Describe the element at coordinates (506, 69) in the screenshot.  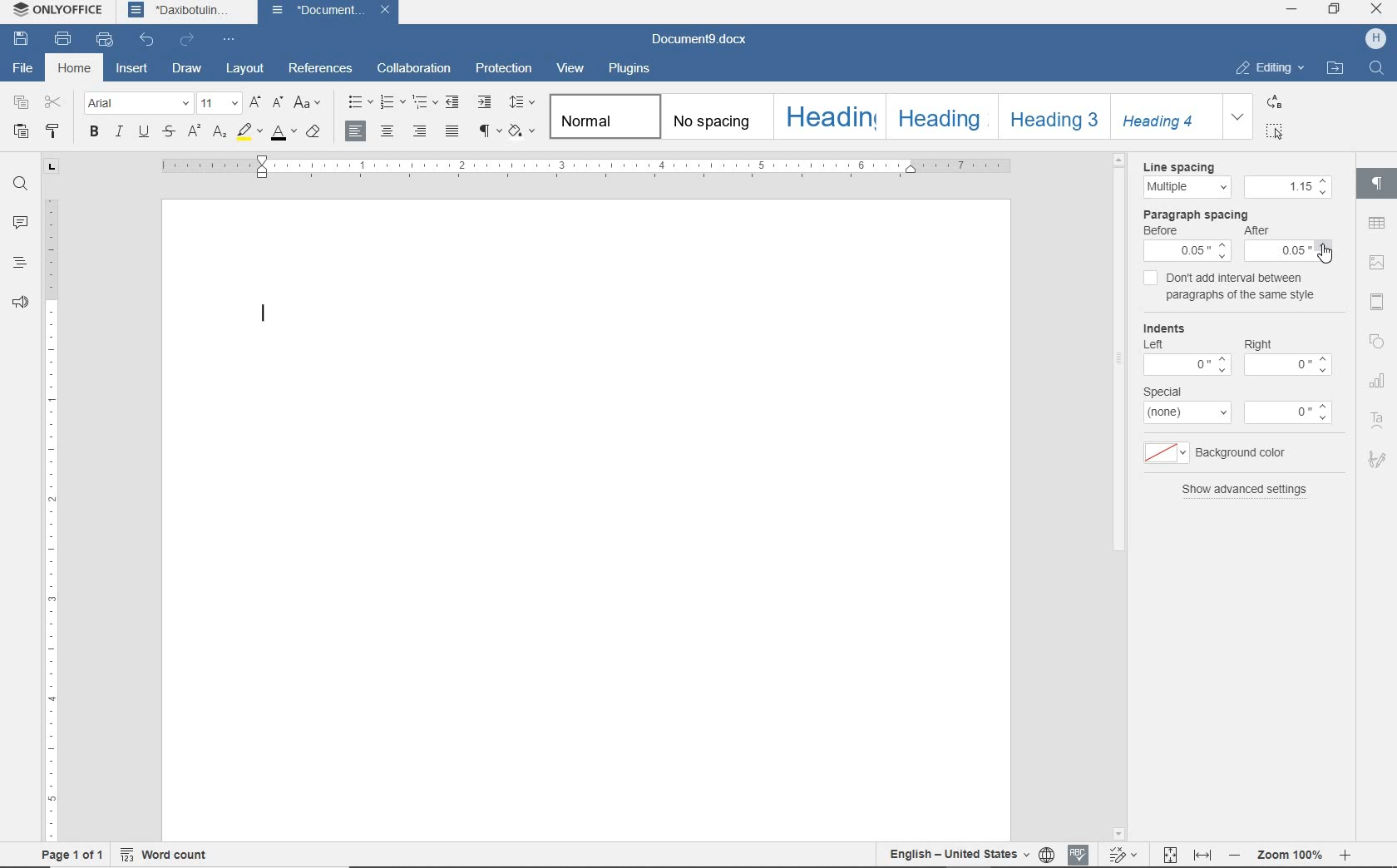
I see `protection` at that location.